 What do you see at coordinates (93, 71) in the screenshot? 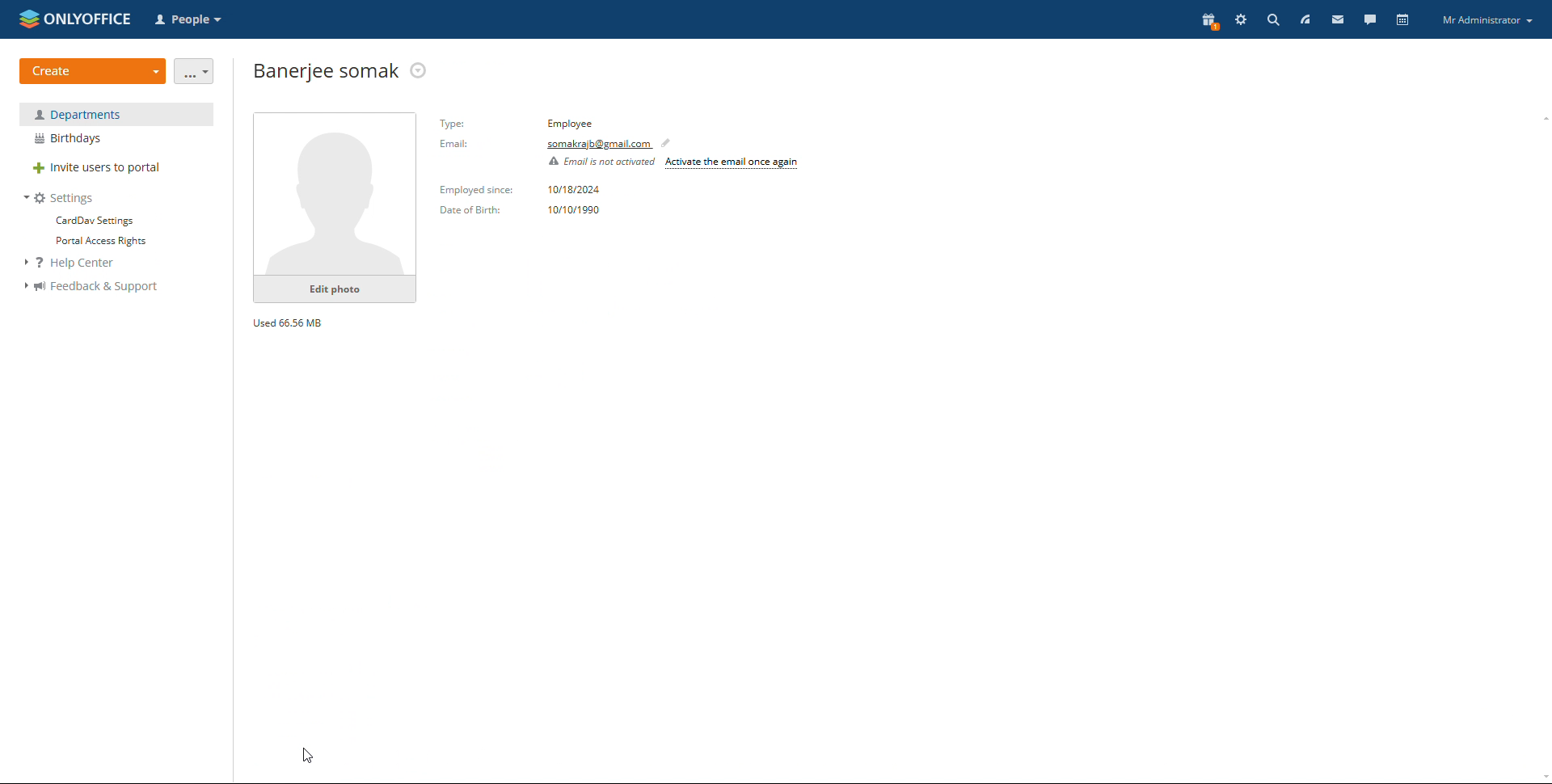
I see `create` at bounding box center [93, 71].